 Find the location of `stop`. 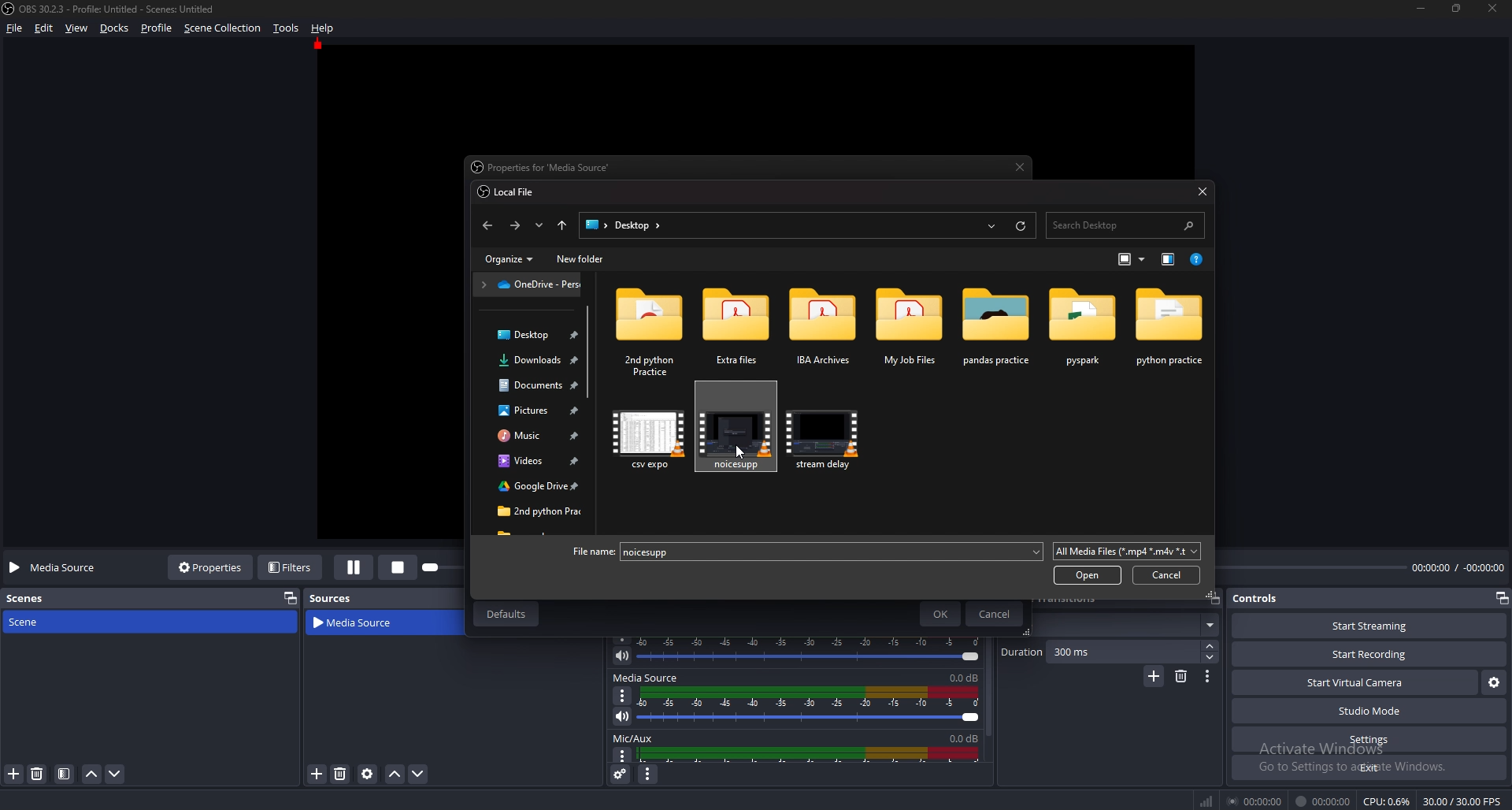

stop is located at coordinates (402, 566).